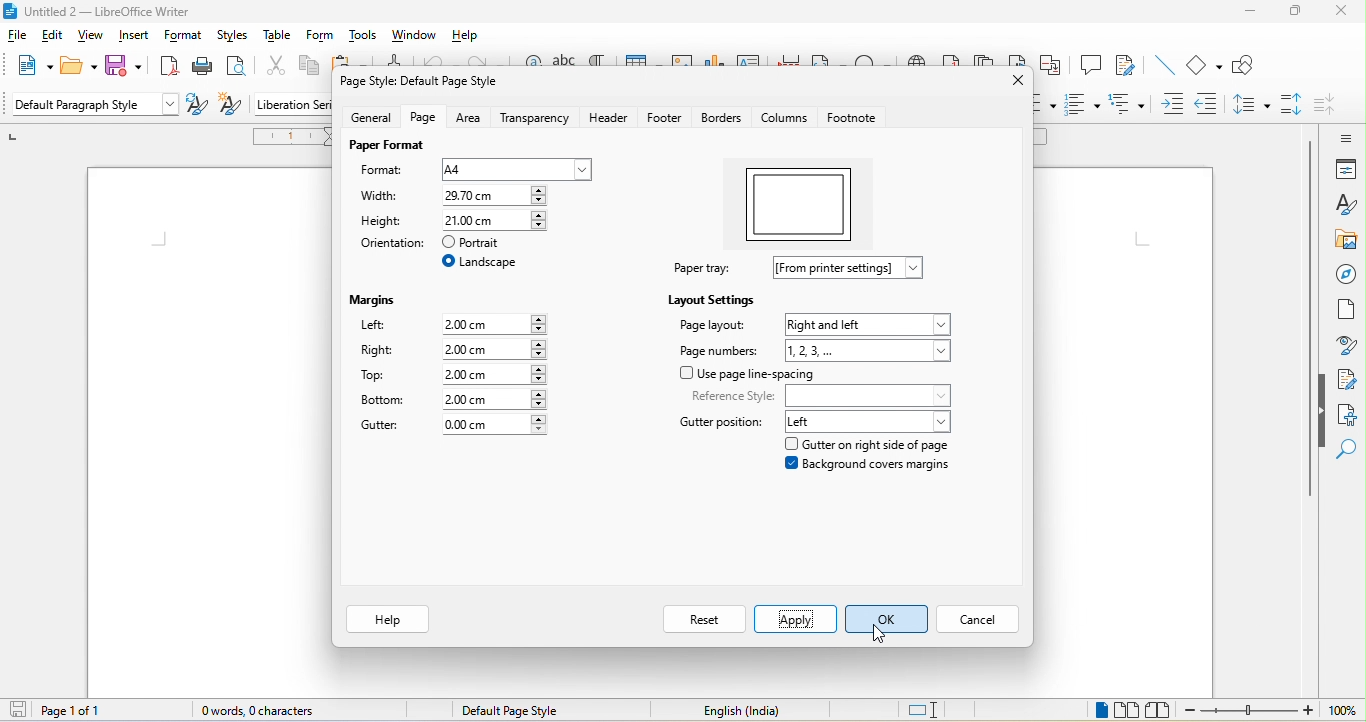 Image resolution: width=1366 pixels, height=722 pixels. What do you see at coordinates (1271, 711) in the screenshot?
I see `zoom` at bounding box center [1271, 711].